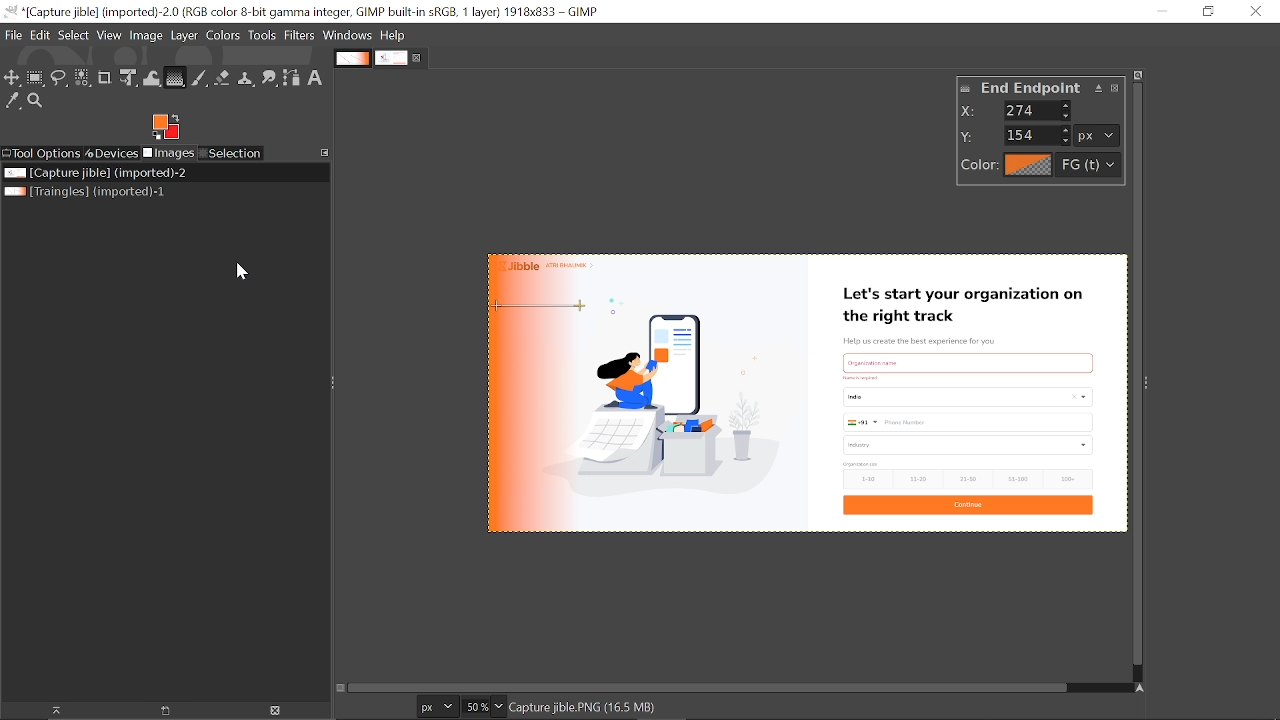 The height and width of the screenshot is (720, 1280). Describe the element at coordinates (130, 78) in the screenshot. I see `Unified transform tool` at that location.